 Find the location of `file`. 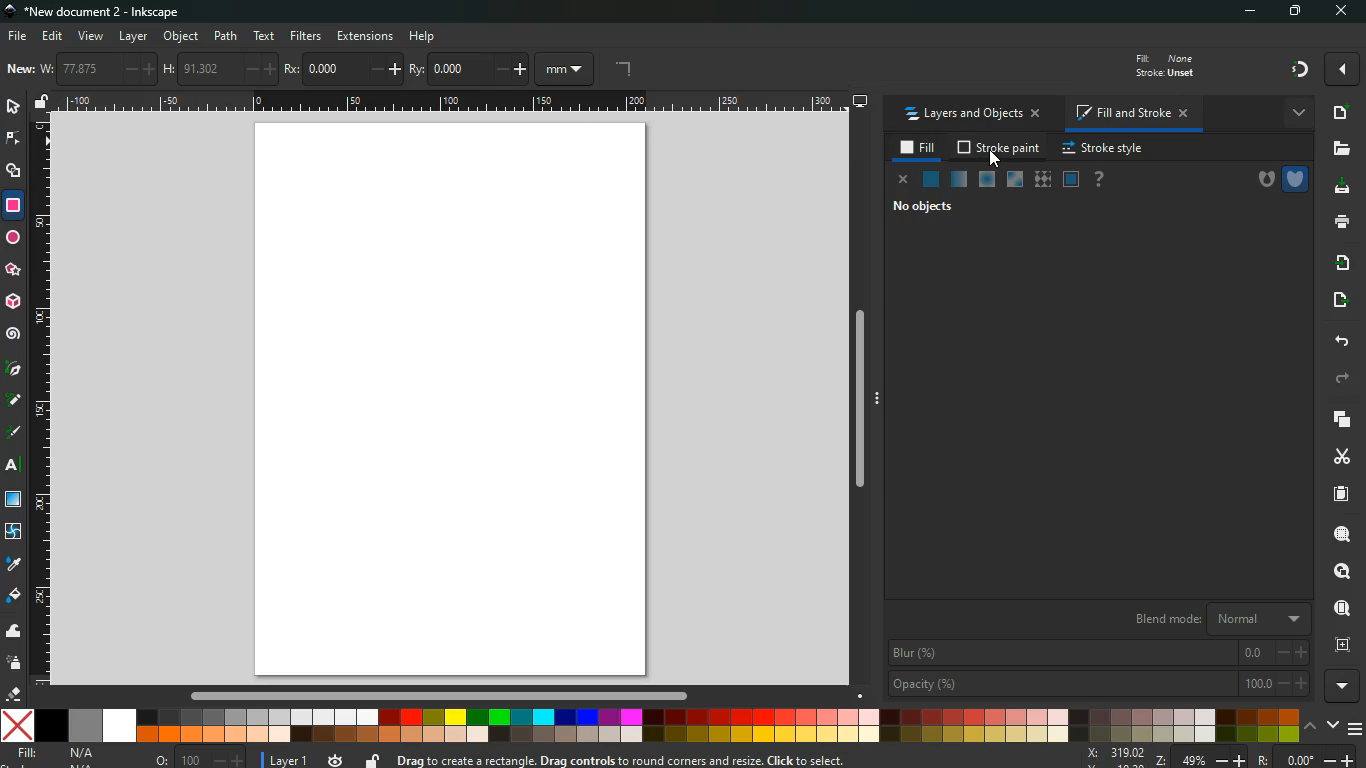

file is located at coordinates (18, 35).